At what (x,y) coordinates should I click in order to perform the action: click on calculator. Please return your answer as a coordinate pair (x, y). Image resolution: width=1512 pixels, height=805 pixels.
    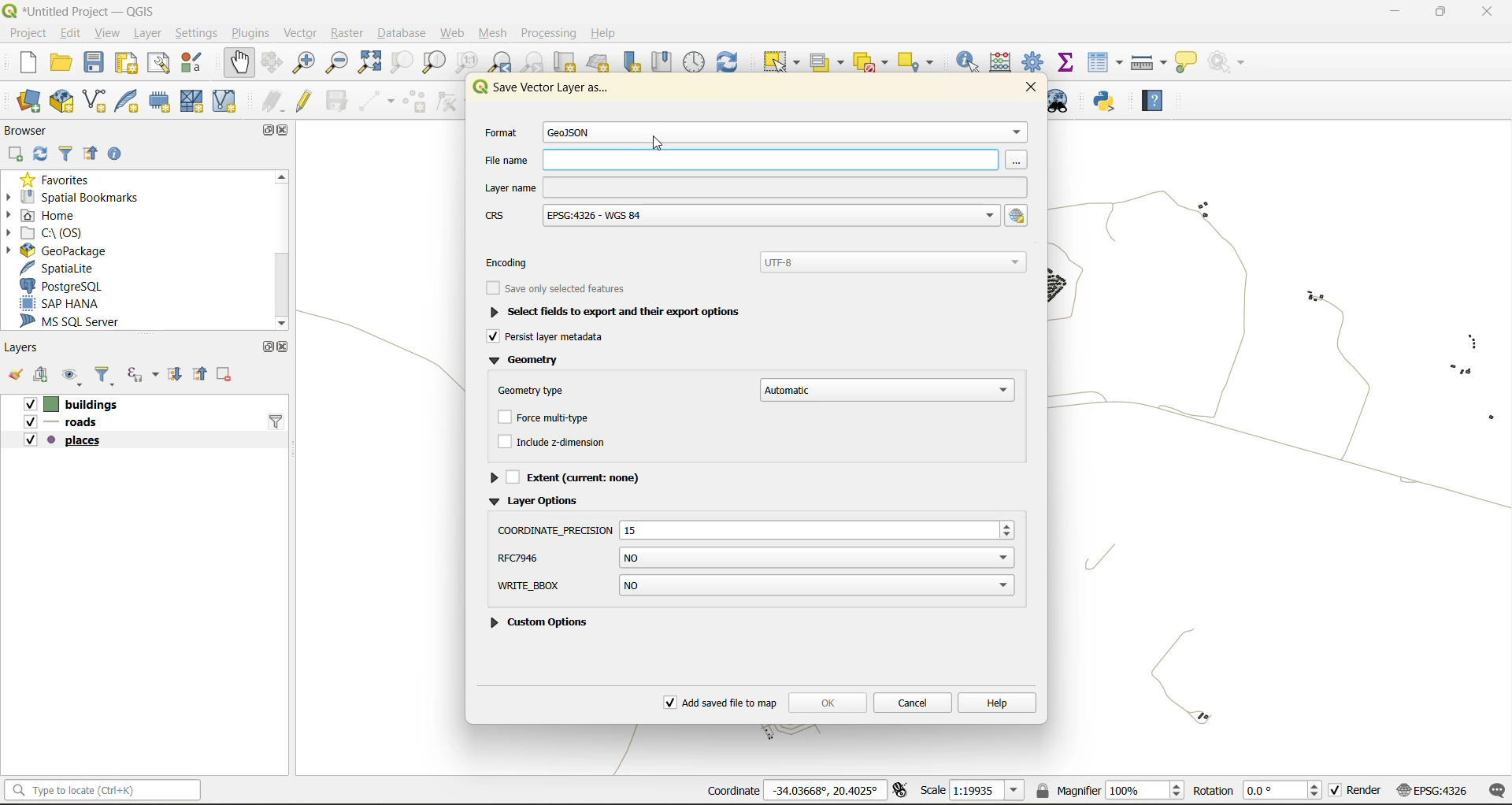
    Looking at the image, I should click on (1008, 63).